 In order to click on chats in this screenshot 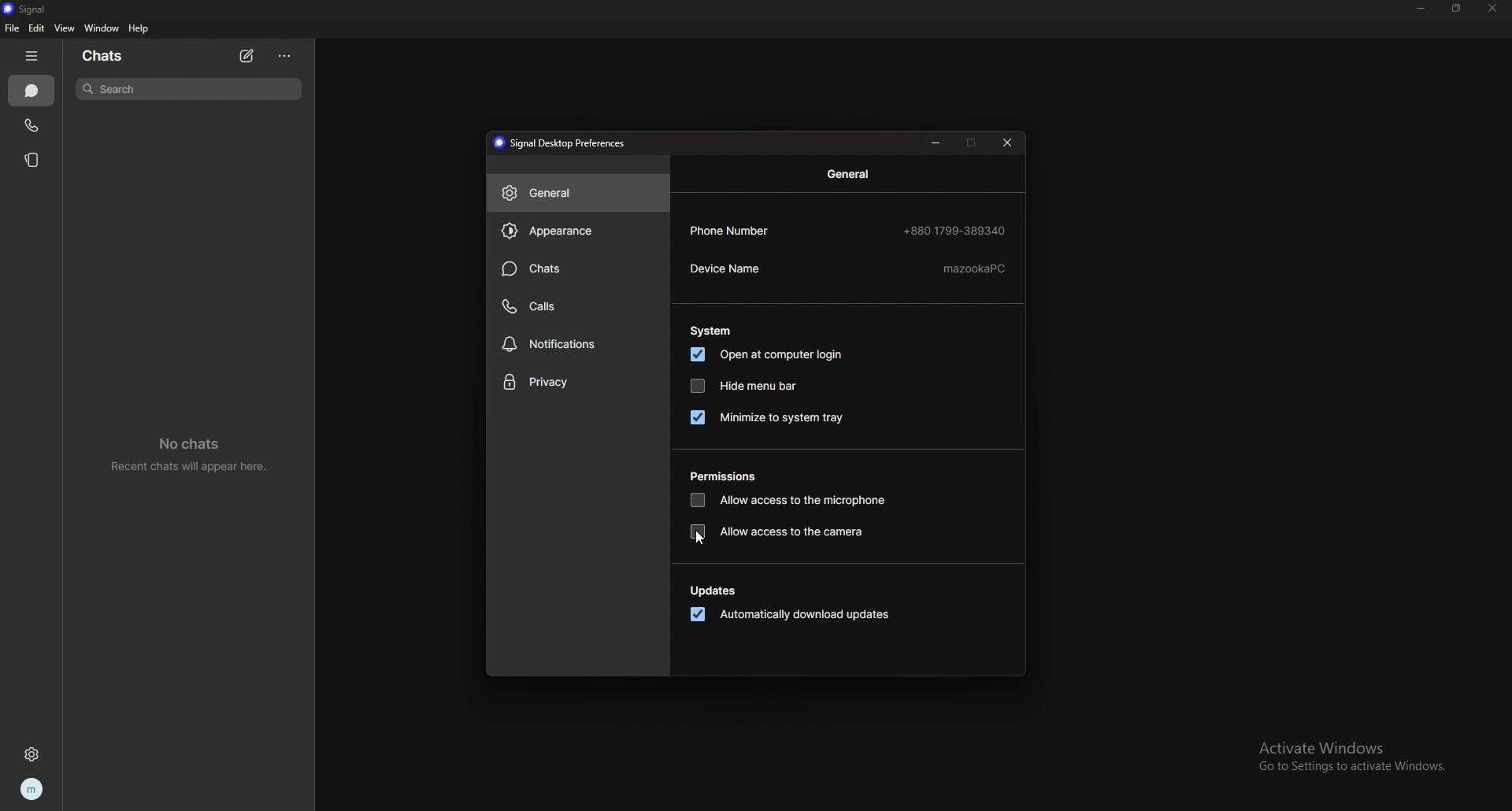, I will do `click(31, 91)`.